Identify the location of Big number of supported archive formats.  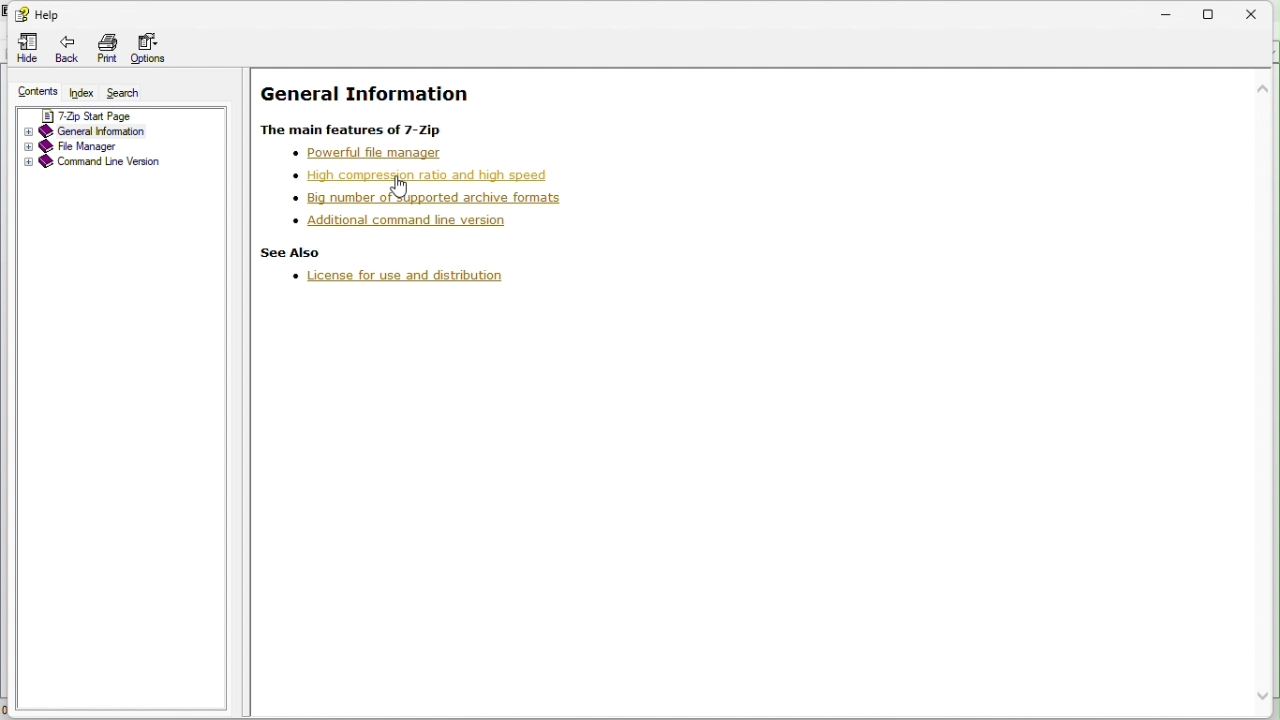
(411, 196).